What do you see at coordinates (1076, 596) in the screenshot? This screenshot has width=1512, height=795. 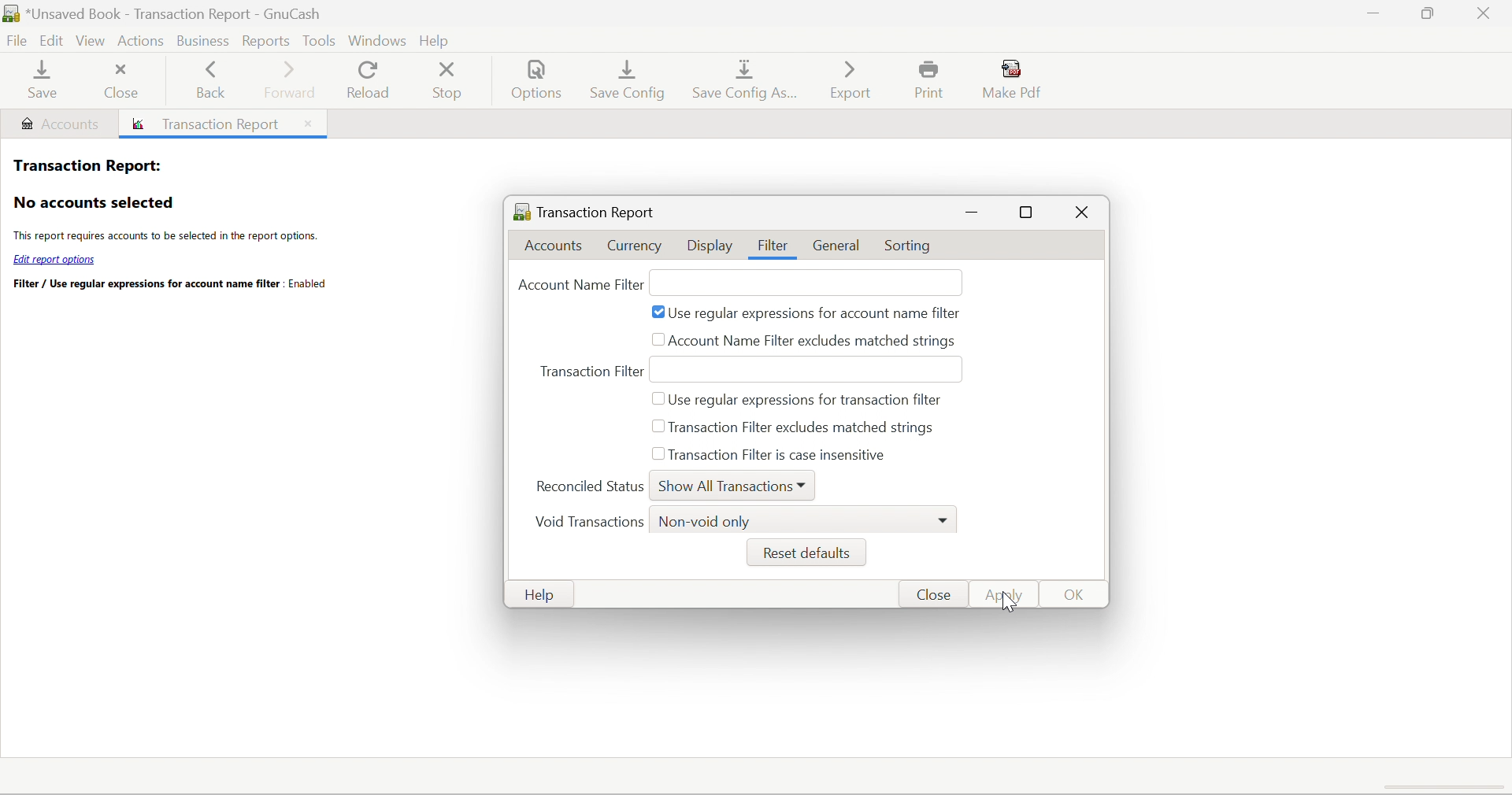 I see `OK` at bounding box center [1076, 596].